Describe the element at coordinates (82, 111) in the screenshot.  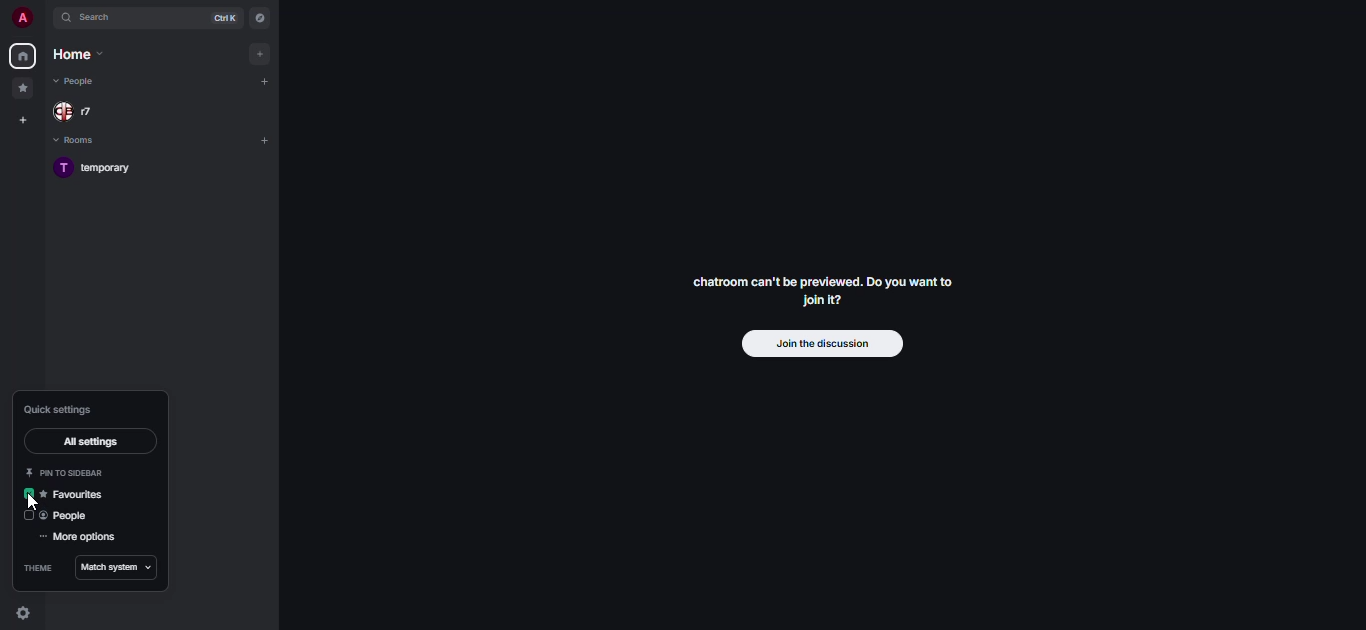
I see `people` at that location.